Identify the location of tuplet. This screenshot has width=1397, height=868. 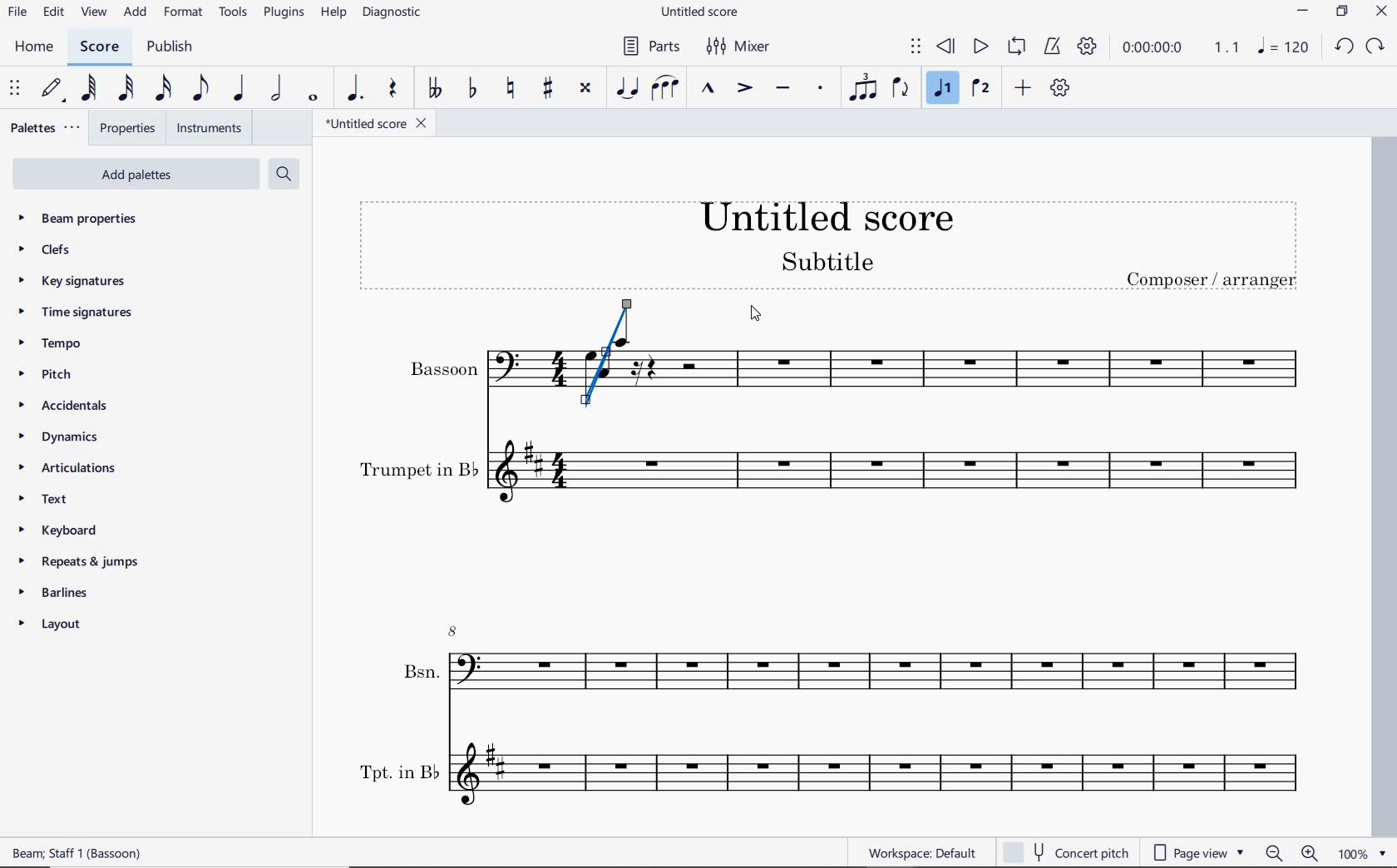
(864, 86).